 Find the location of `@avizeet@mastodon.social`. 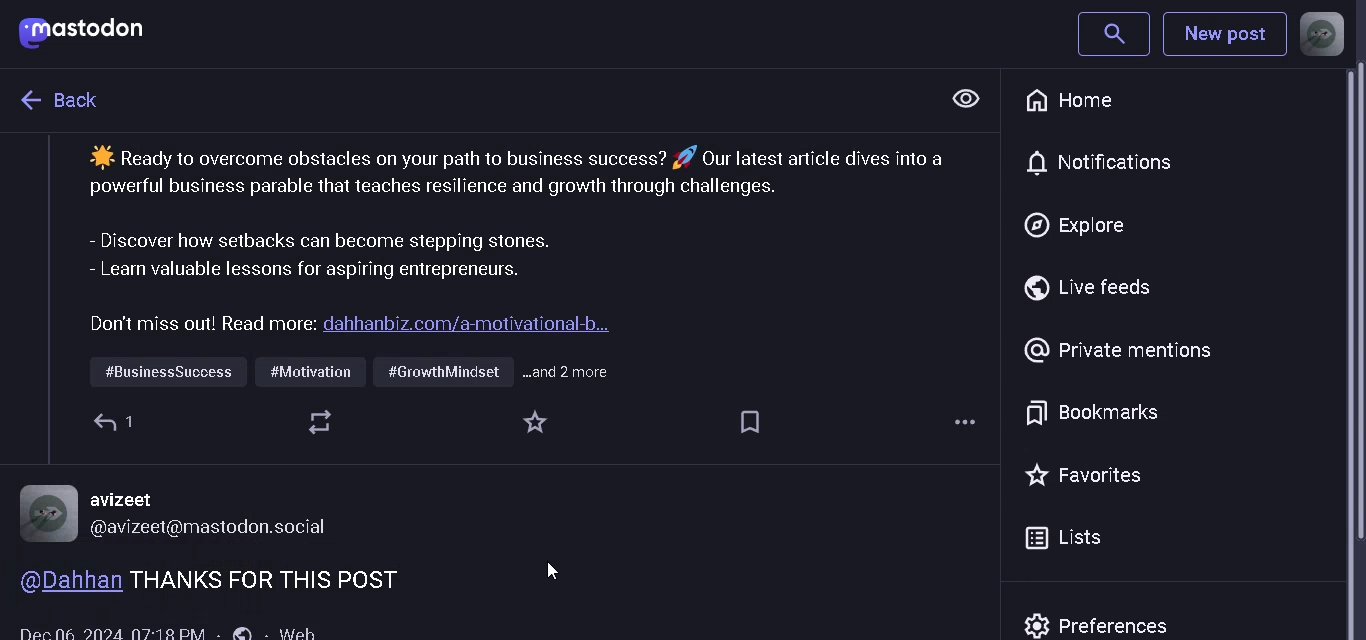

@avizeet@mastodon.social is located at coordinates (209, 526).